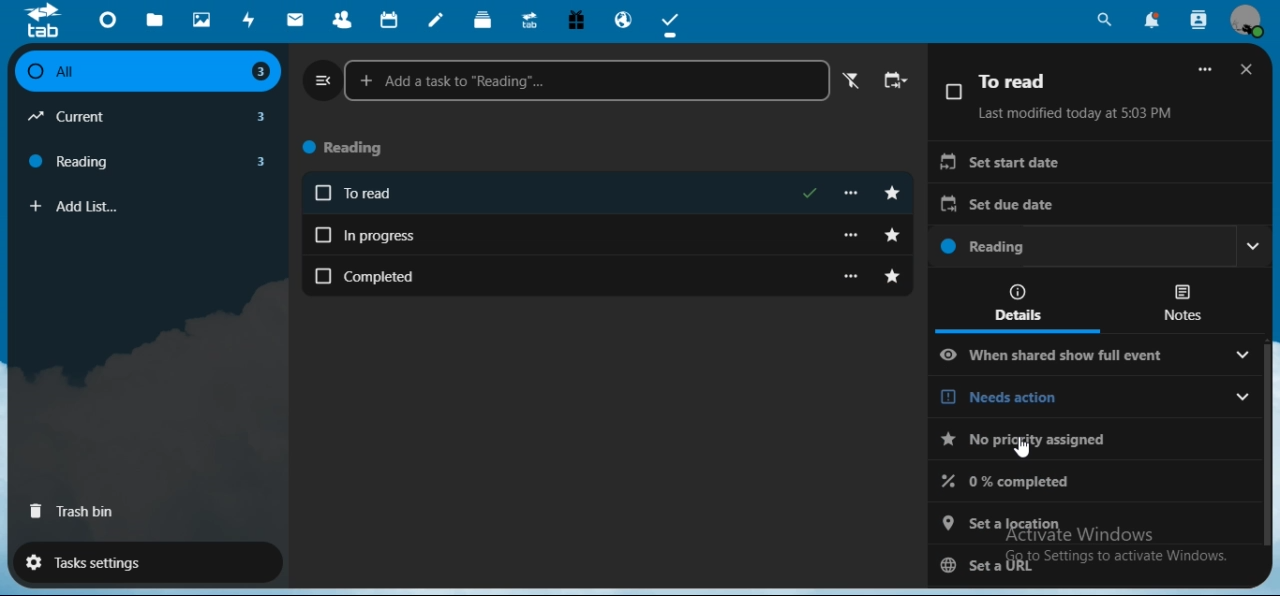 The image size is (1280, 596). What do you see at coordinates (530, 20) in the screenshot?
I see `upgrade` at bounding box center [530, 20].